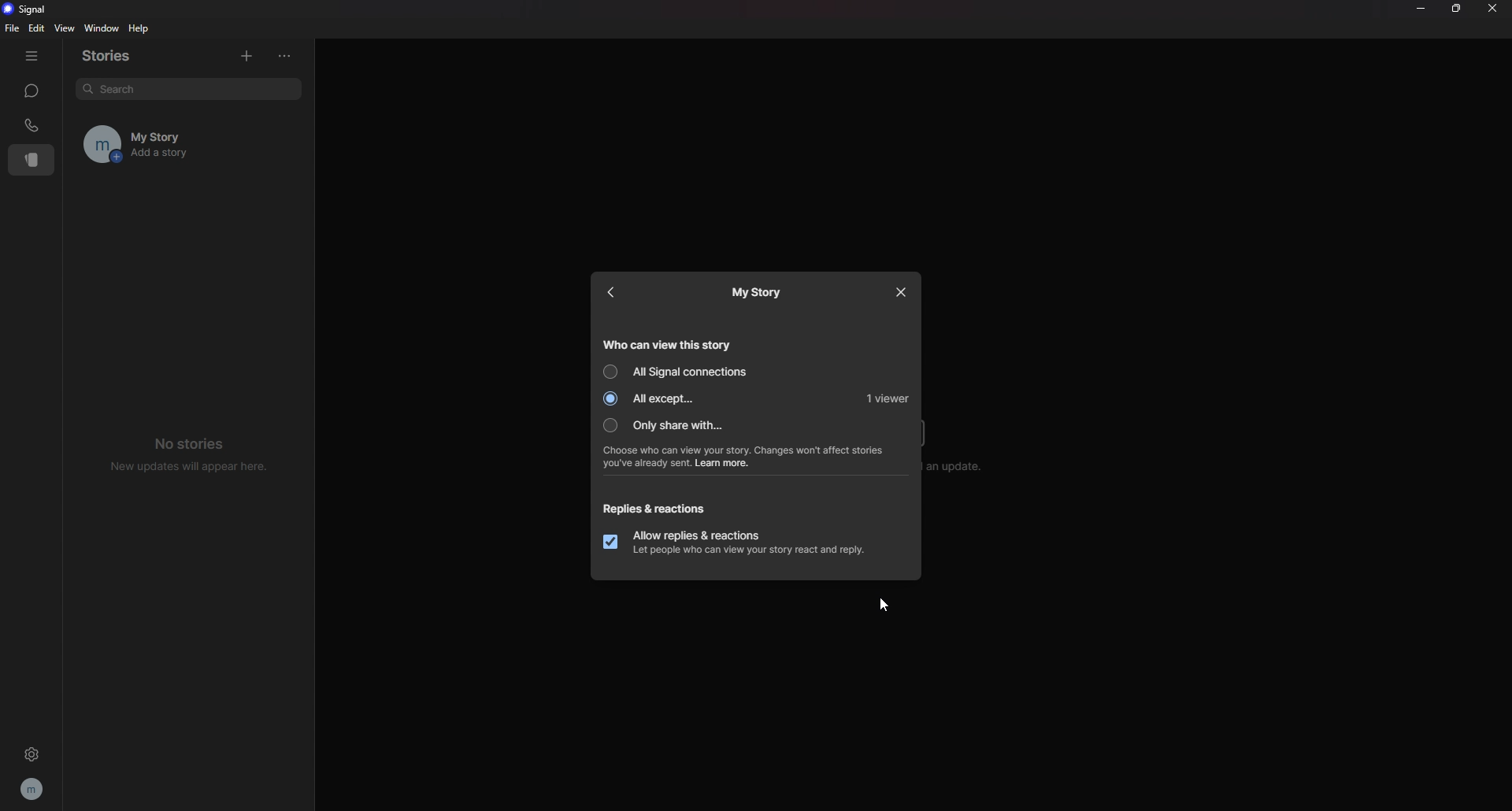 The height and width of the screenshot is (811, 1512). What do you see at coordinates (32, 160) in the screenshot?
I see `stories` at bounding box center [32, 160].